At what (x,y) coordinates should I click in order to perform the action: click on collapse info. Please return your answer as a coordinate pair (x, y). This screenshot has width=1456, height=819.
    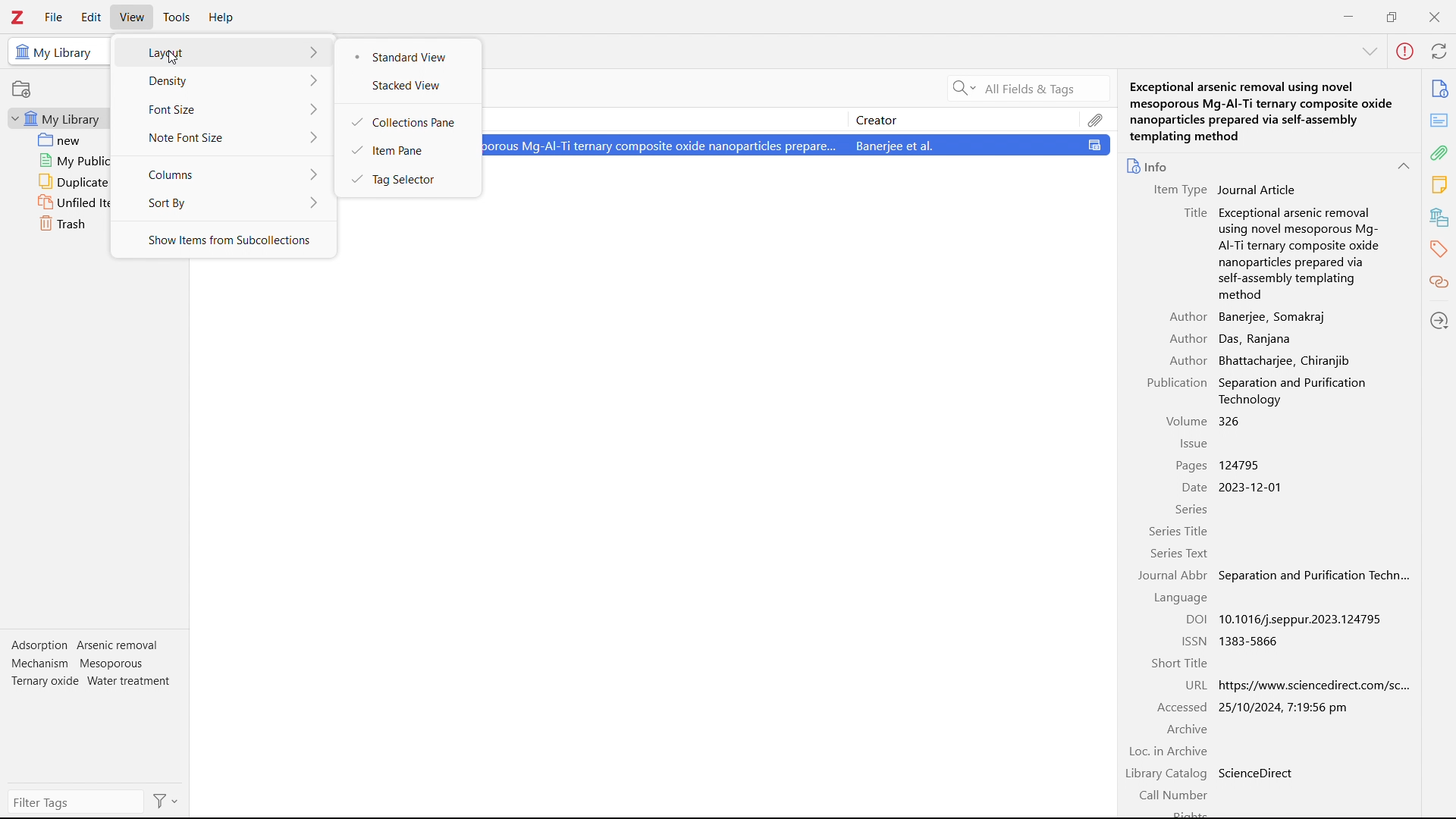
    Looking at the image, I should click on (1372, 52).